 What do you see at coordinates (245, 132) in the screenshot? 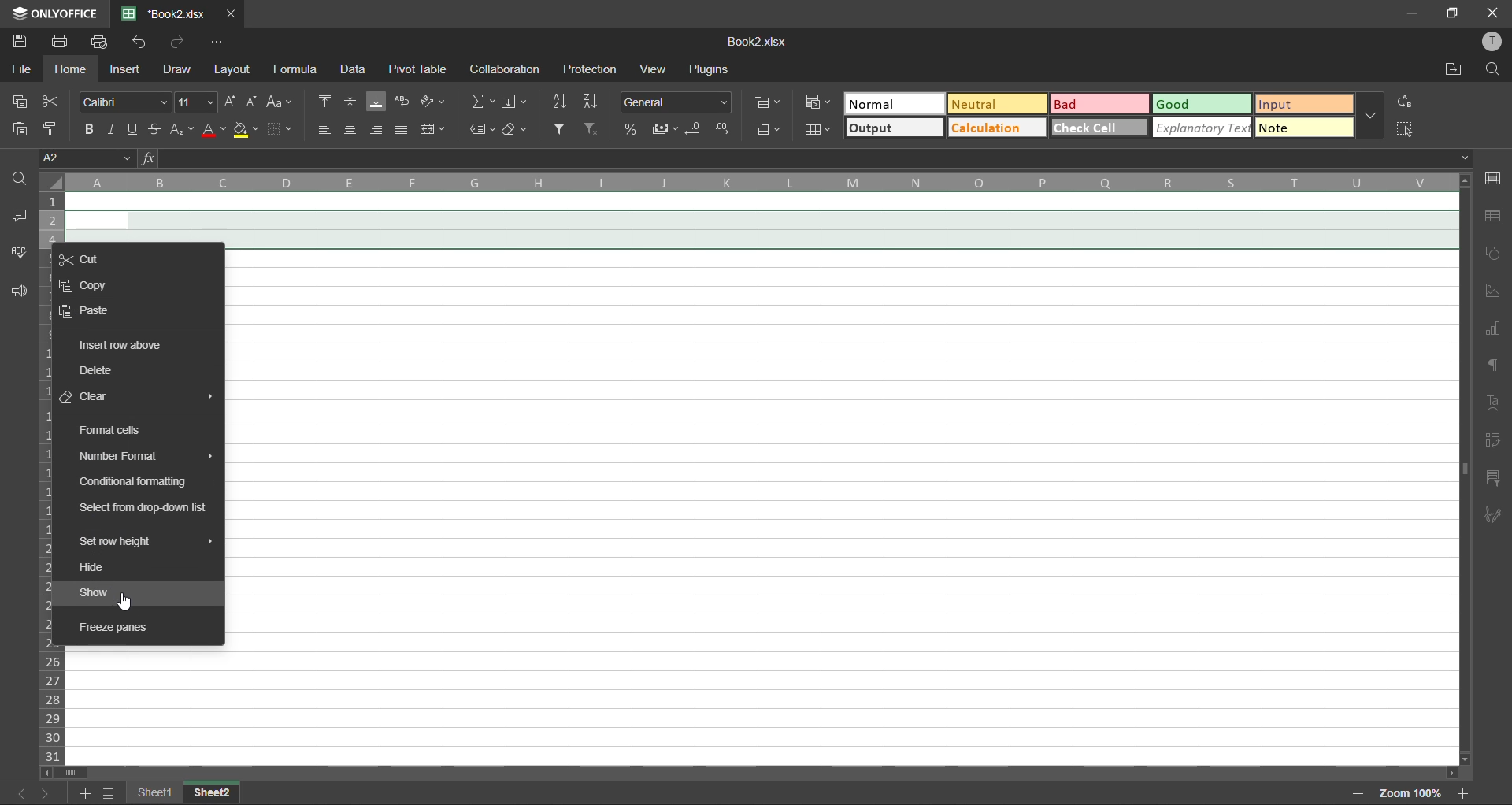
I see `fill color` at bounding box center [245, 132].